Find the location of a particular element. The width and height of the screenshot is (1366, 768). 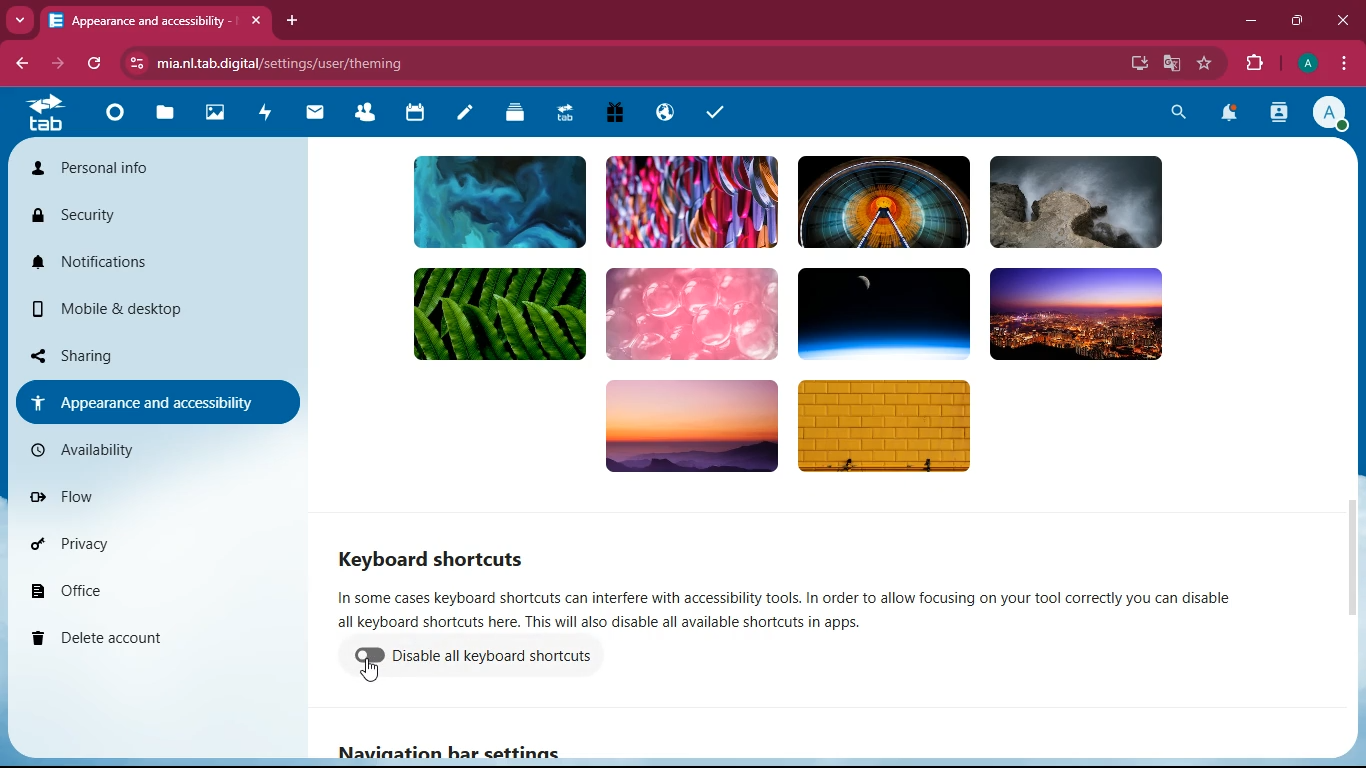

flow is located at coordinates (167, 499).